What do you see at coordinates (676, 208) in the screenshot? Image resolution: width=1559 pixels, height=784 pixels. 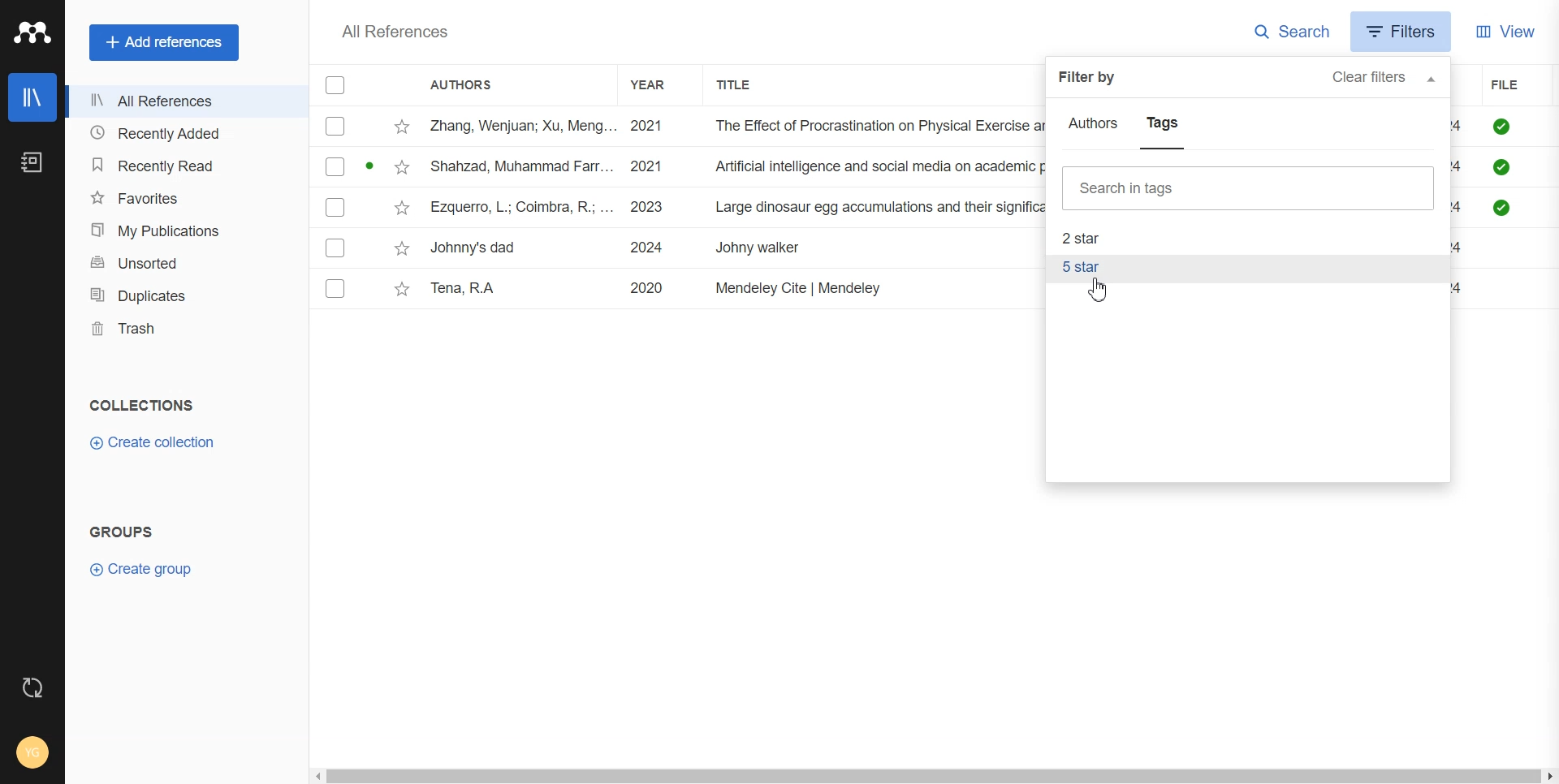 I see `File` at bounding box center [676, 208].